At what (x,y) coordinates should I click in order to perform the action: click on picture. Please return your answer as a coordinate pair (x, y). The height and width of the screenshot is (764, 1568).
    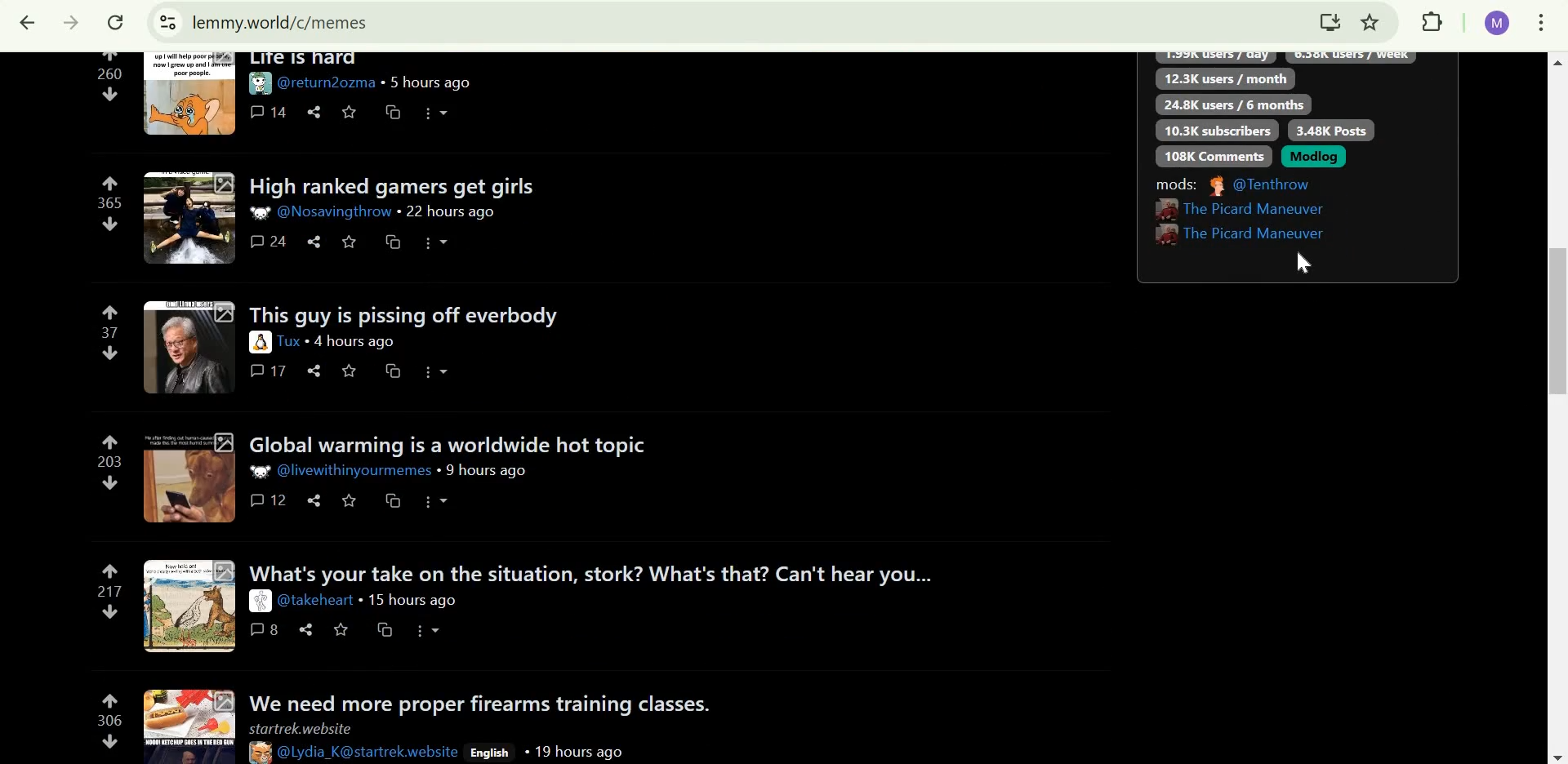
    Looking at the image, I should click on (260, 214).